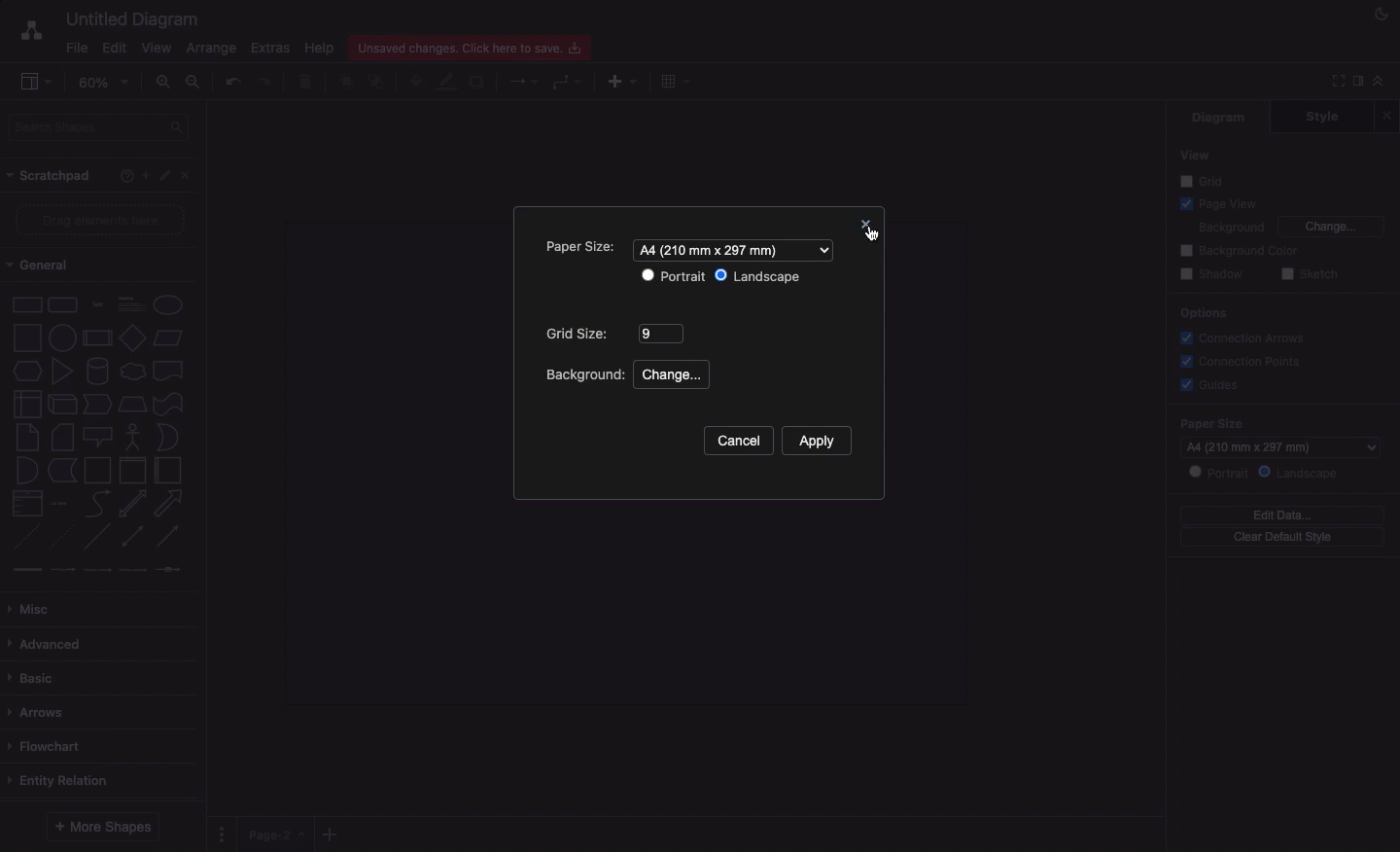 This screenshot has width=1400, height=852. Describe the element at coordinates (1280, 446) in the screenshot. I see `A4 (210 mm x 297 mm)` at that location.